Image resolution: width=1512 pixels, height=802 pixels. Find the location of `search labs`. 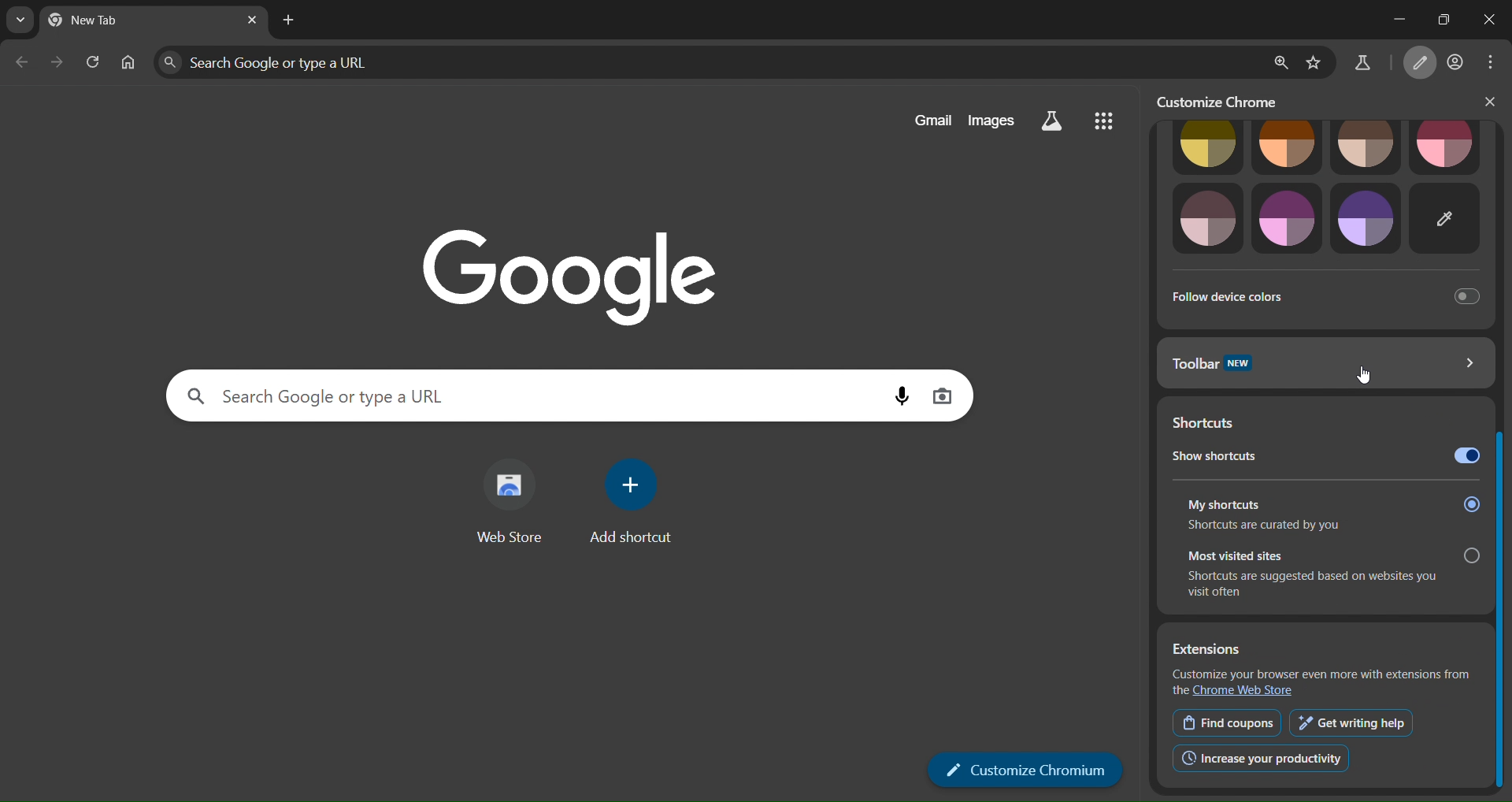

search labs is located at coordinates (1365, 63).